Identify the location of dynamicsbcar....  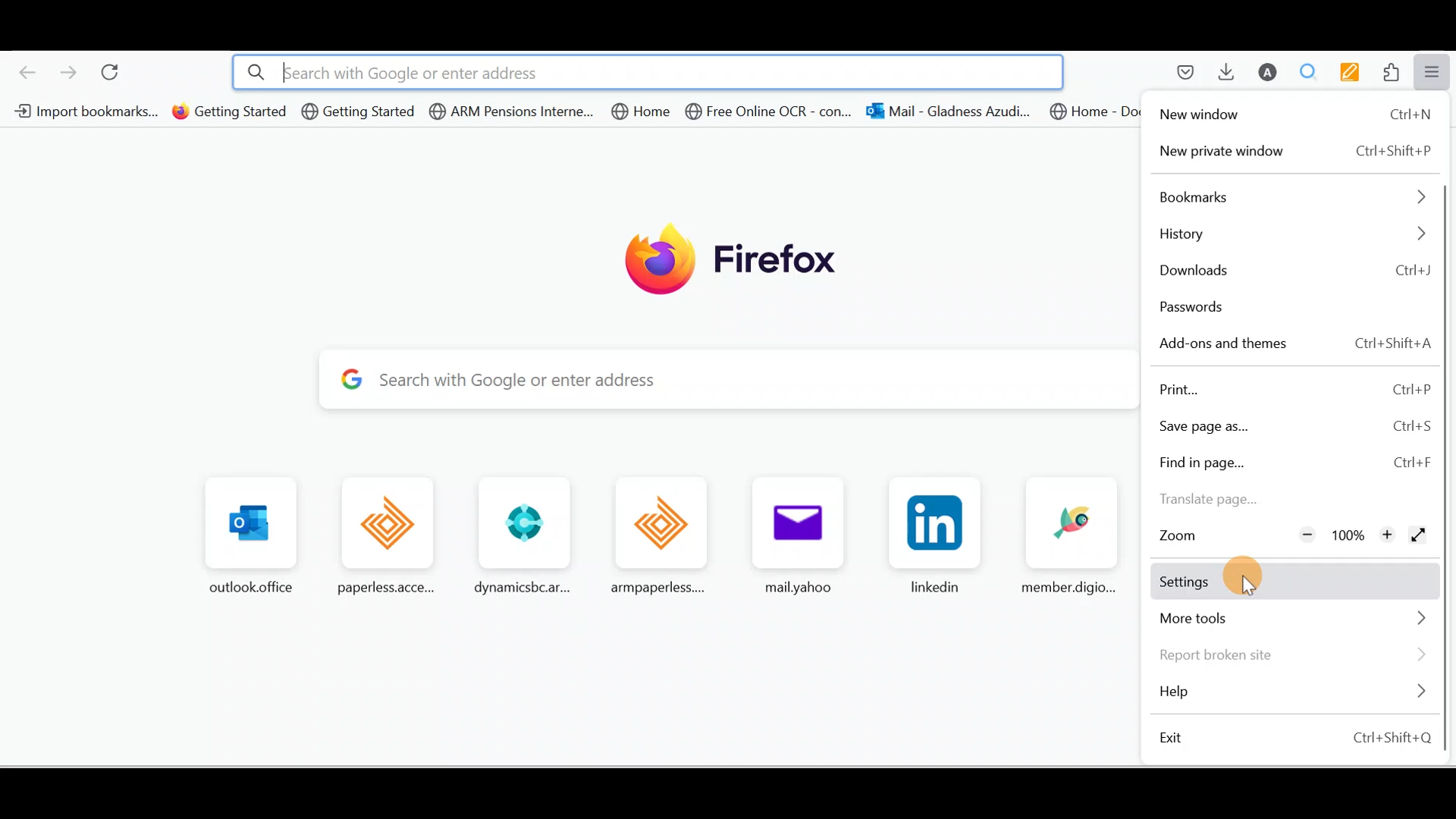
(520, 536).